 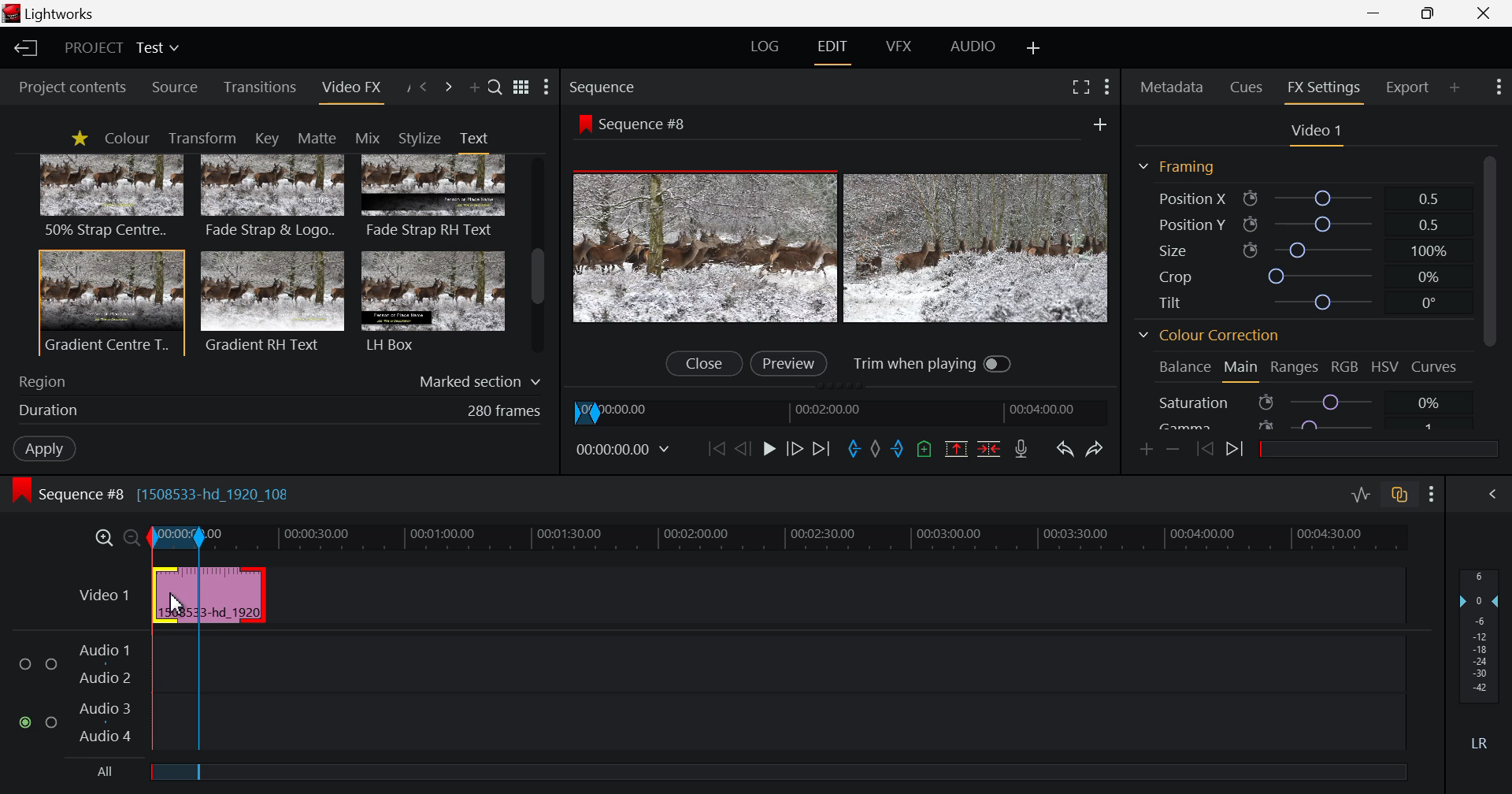 I want to click on Delete/Cut, so click(x=989, y=451).